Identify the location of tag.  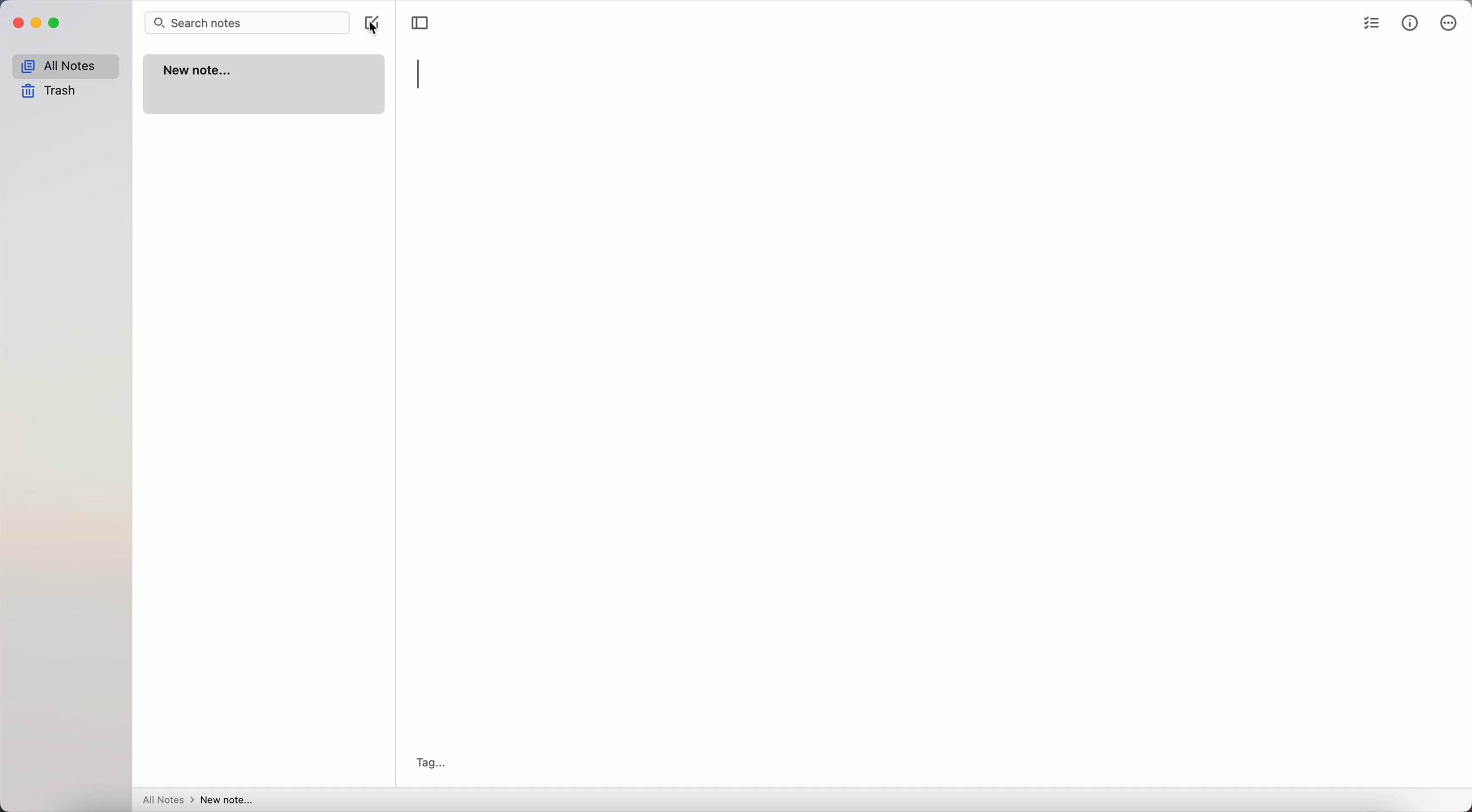
(434, 763).